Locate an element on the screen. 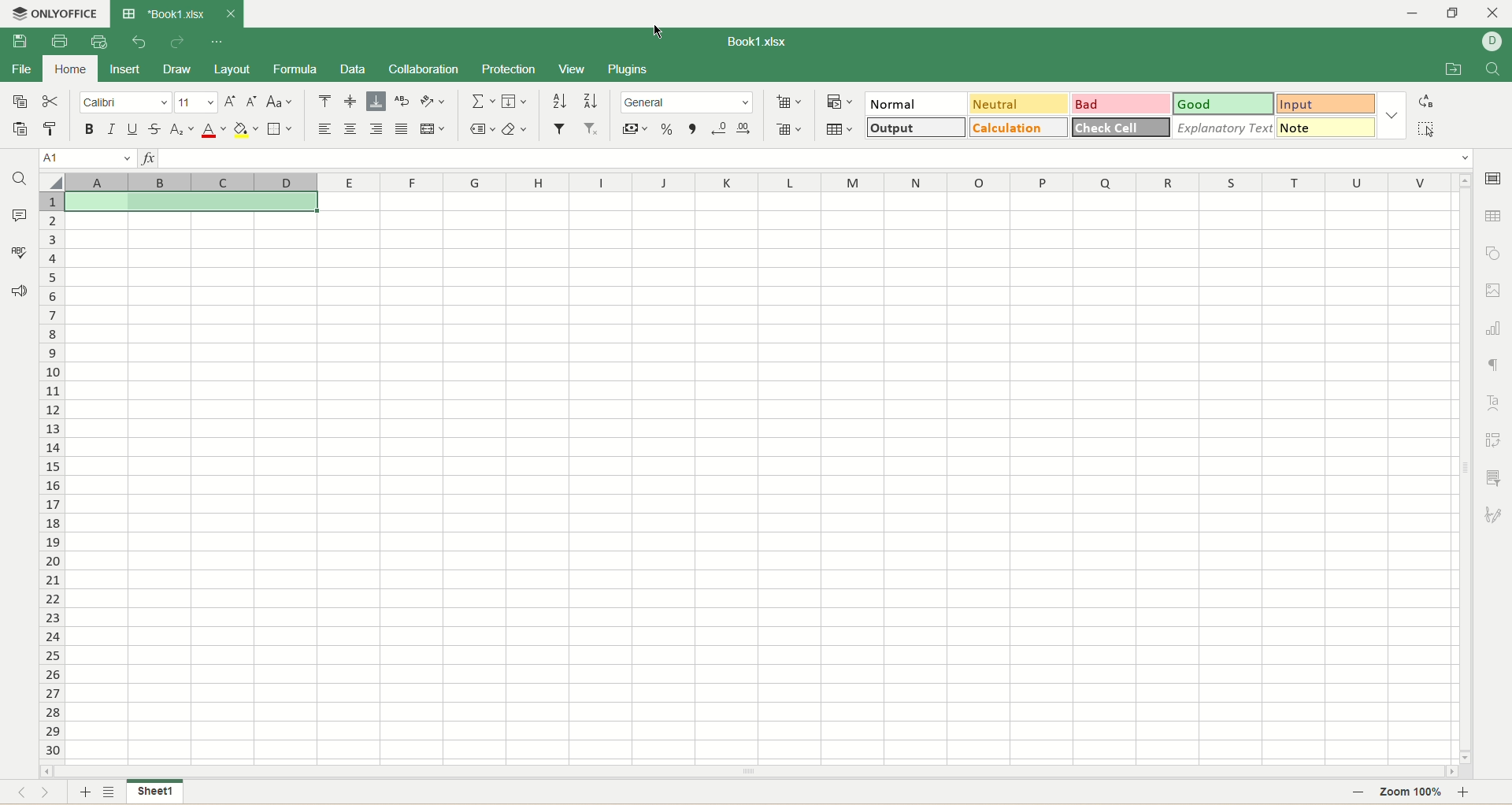  increase size is located at coordinates (232, 102).